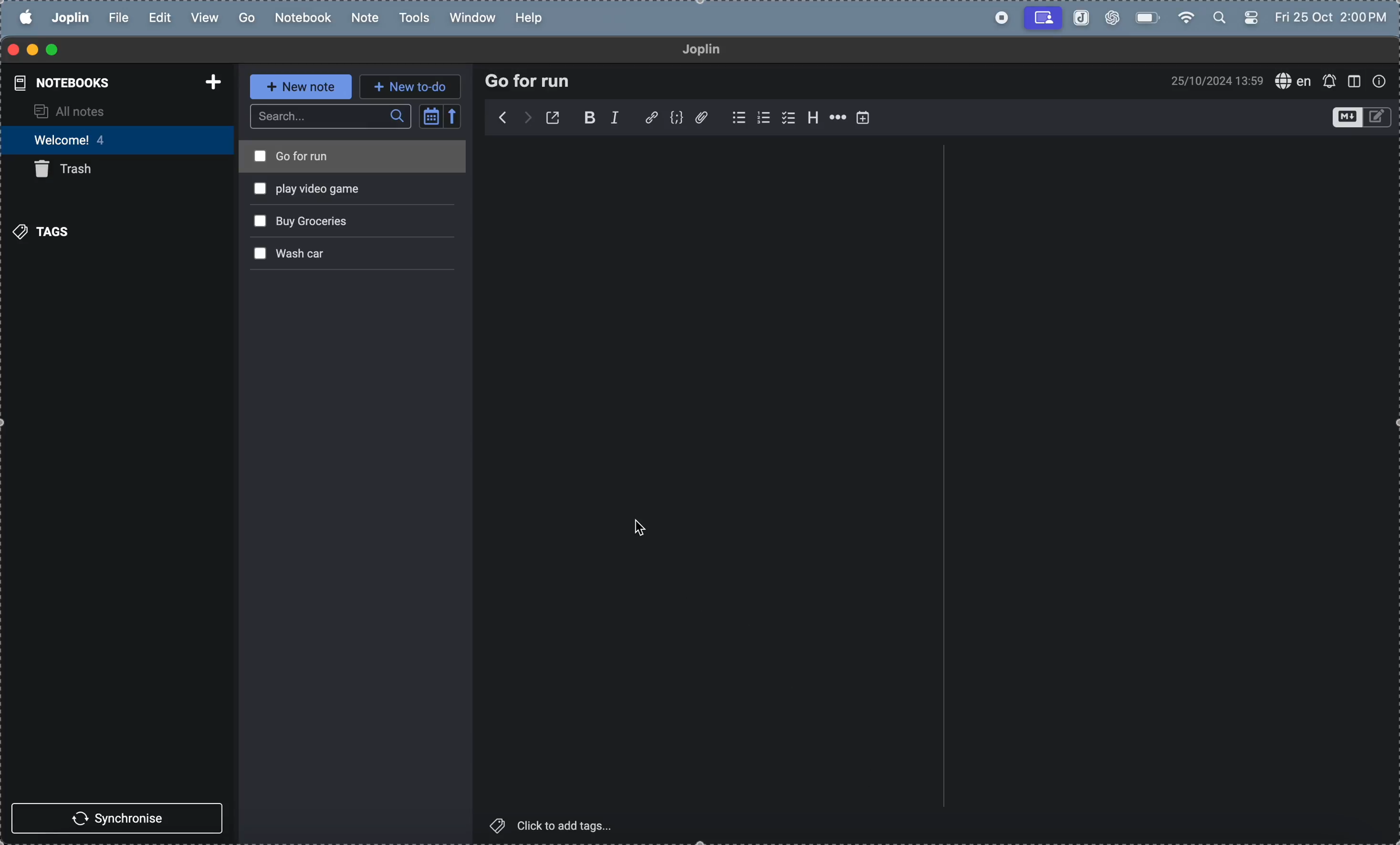 Image resolution: width=1400 pixels, height=845 pixels. Describe the element at coordinates (866, 118) in the screenshot. I see `insert time` at that location.